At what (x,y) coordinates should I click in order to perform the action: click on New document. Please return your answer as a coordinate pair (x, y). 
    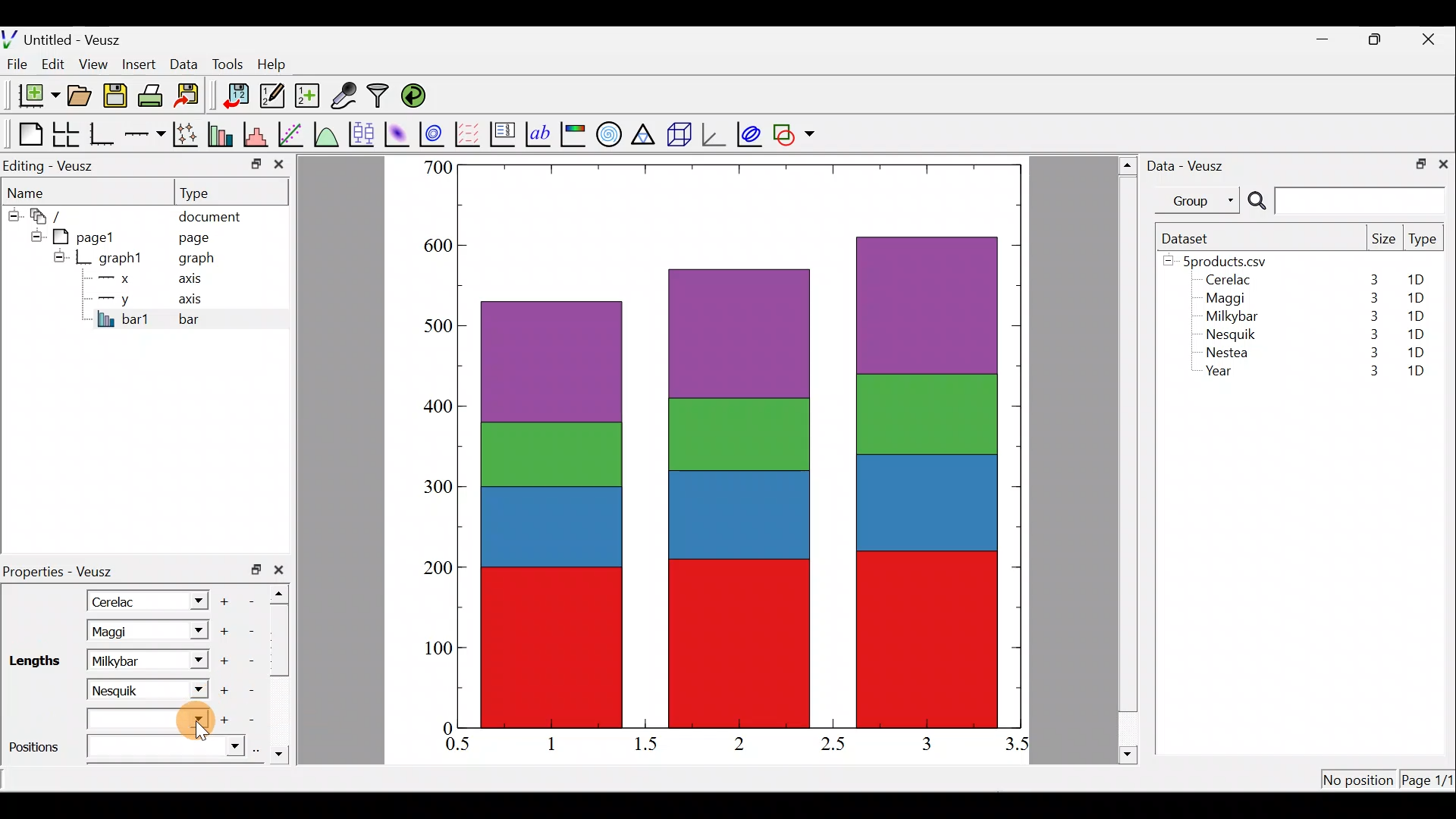
    Looking at the image, I should click on (33, 96).